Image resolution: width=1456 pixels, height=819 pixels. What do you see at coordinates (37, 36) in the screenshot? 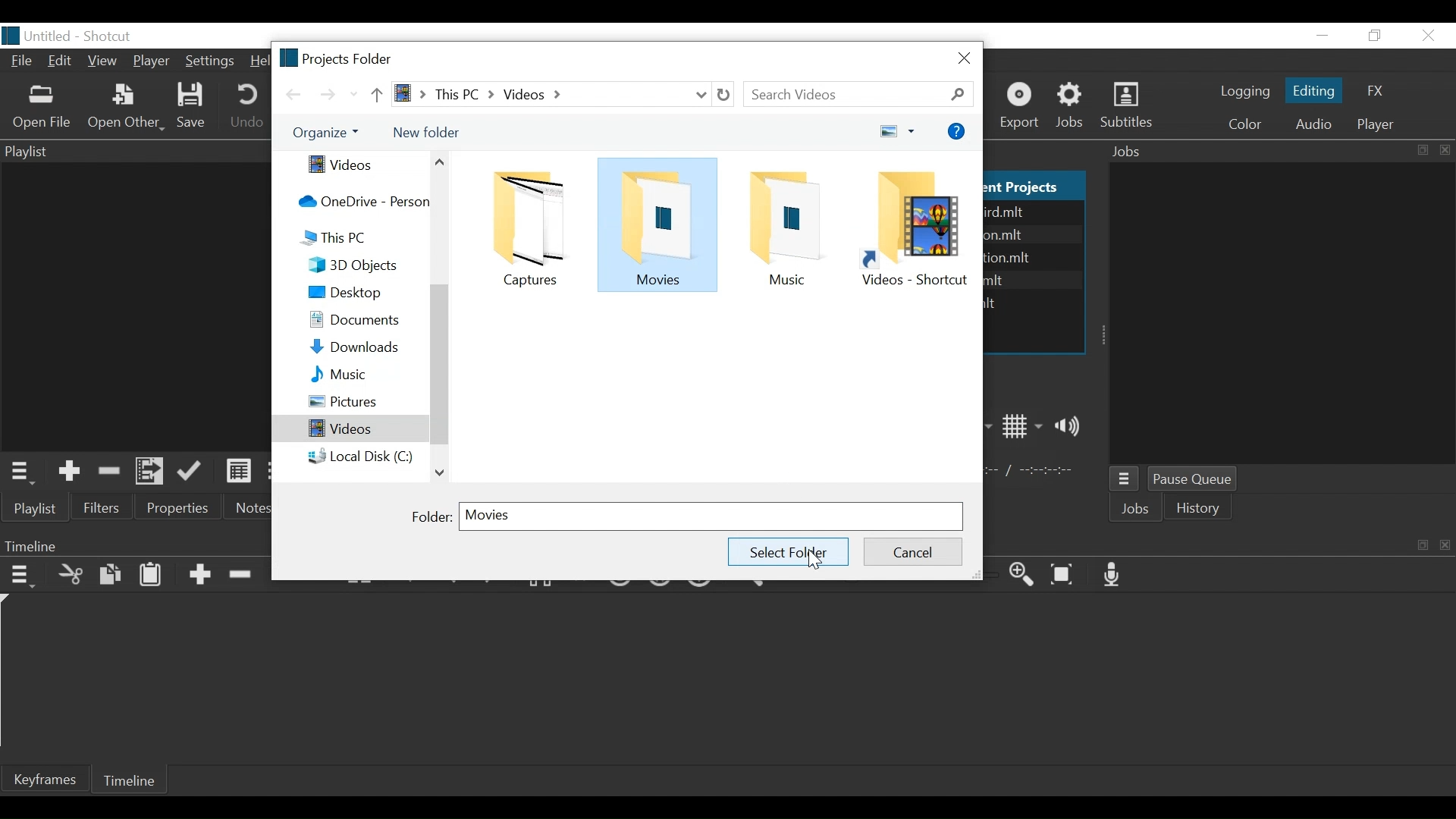
I see `File name` at bounding box center [37, 36].